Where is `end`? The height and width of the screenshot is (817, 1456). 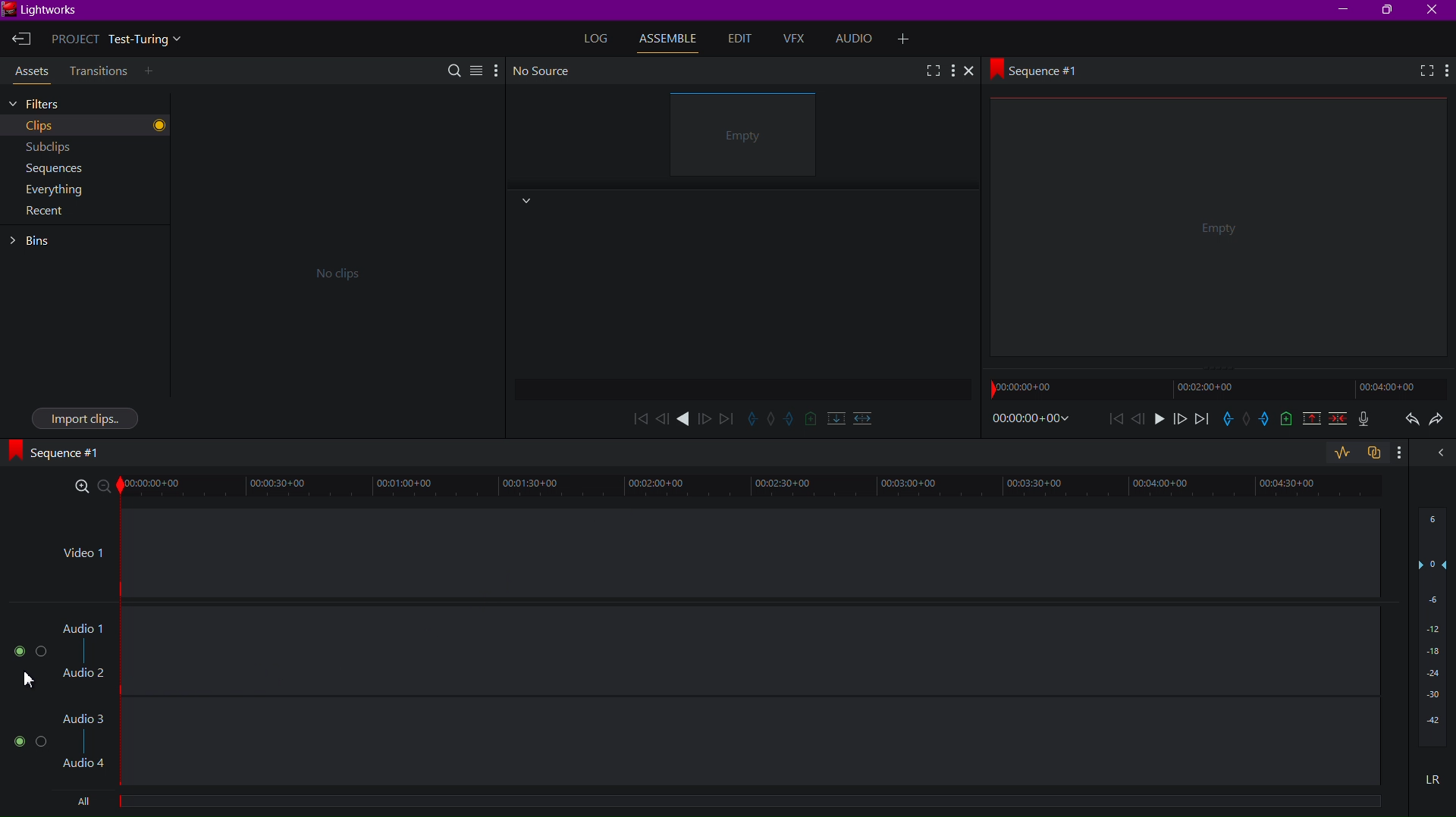 end is located at coordinates (1201, 421).